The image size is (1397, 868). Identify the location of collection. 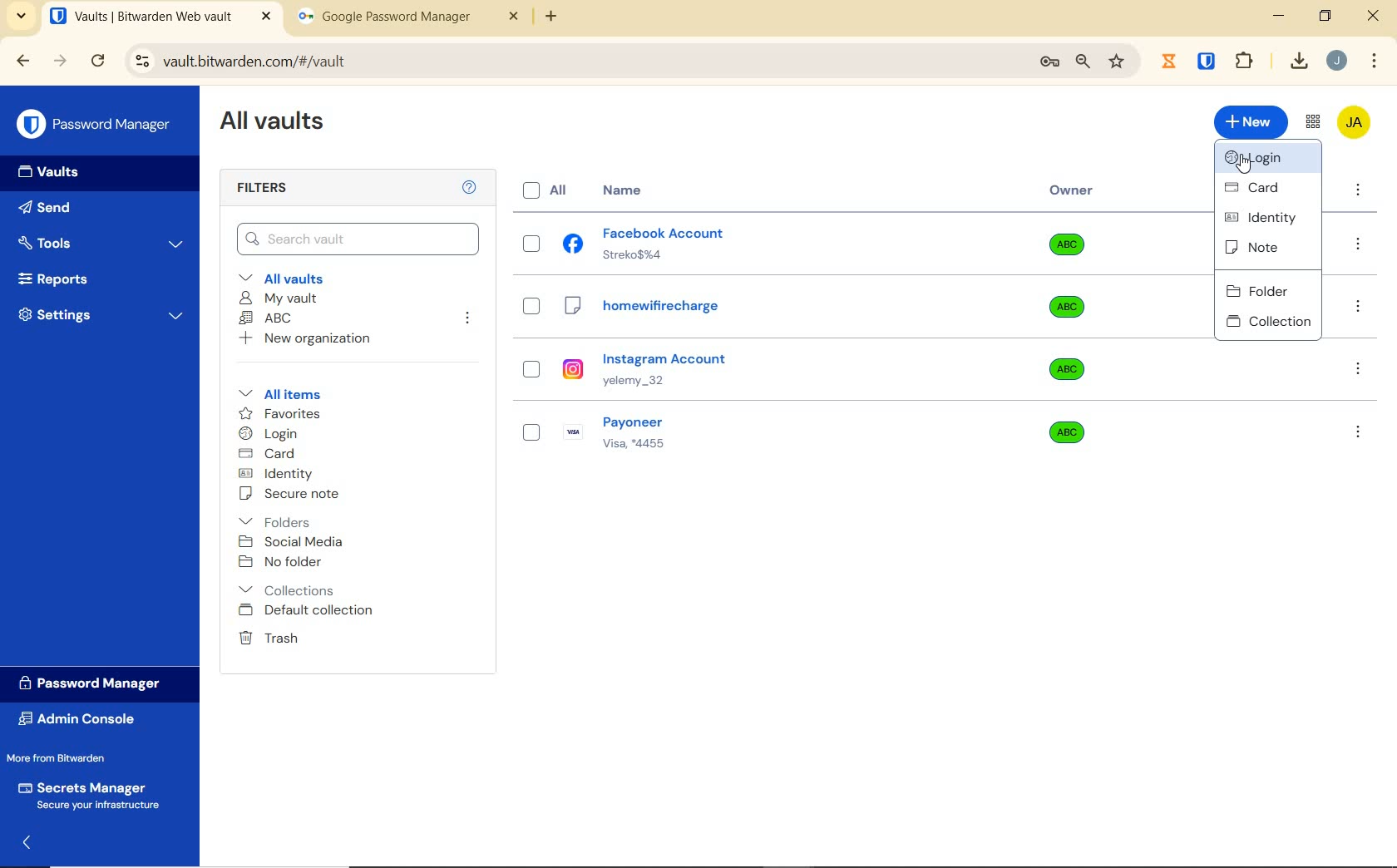
(1267, 323).